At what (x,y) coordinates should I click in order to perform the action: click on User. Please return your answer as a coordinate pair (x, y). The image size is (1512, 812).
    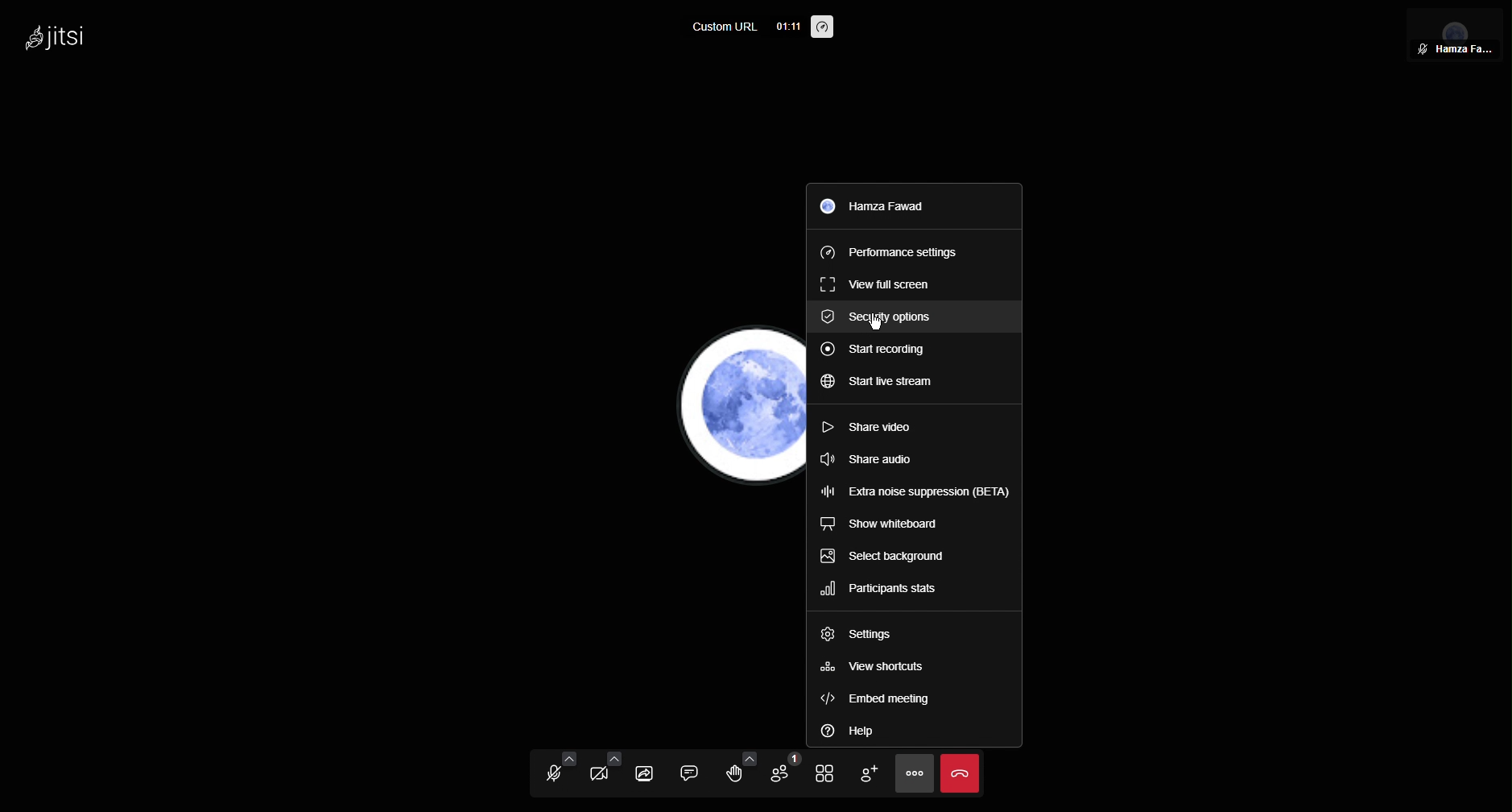
    Looking at the image, I should click on (886, 207).